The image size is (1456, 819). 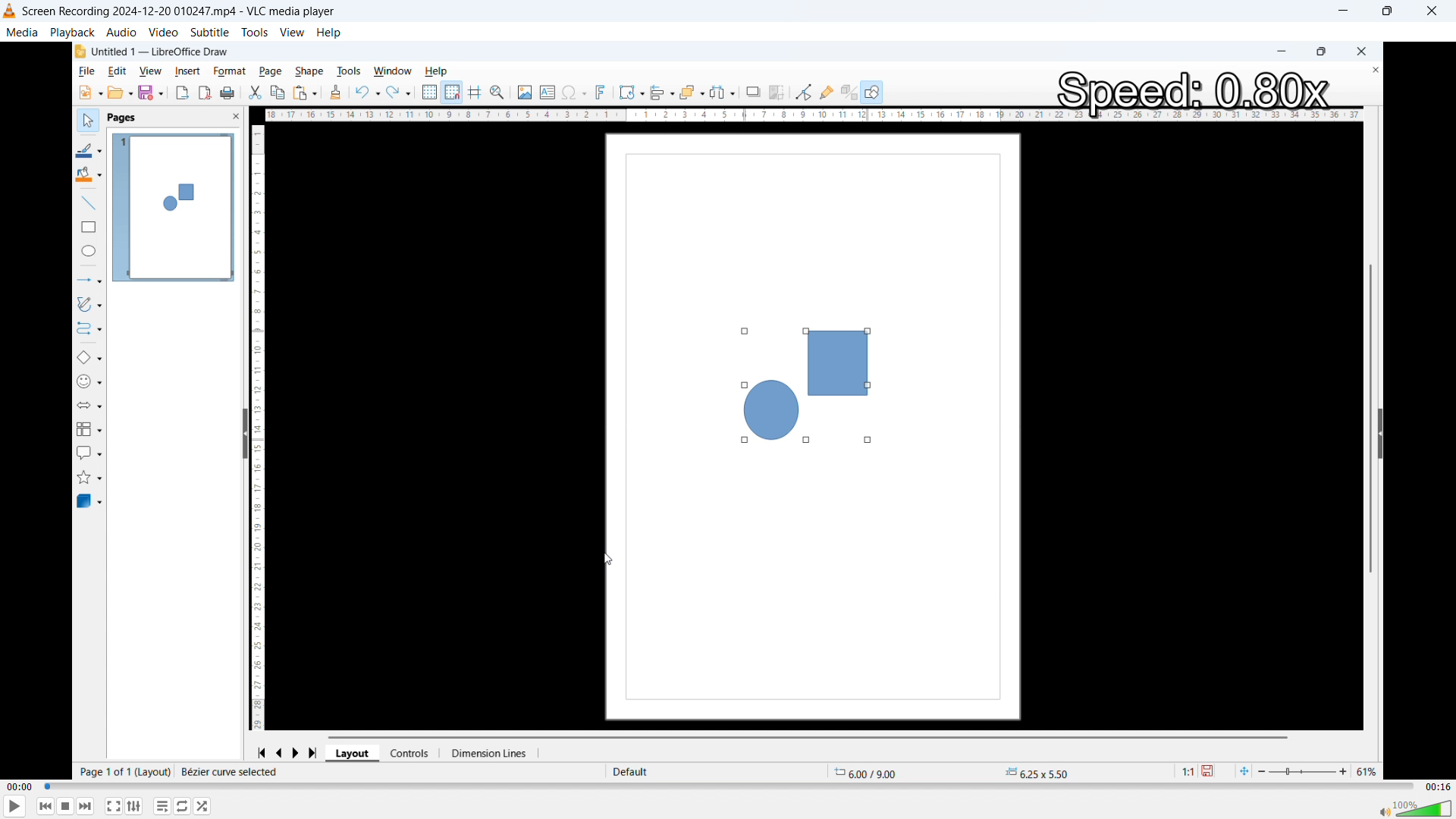 What do you see at coordinates (23, 32) in the screenshot?
I see `Media ` at bounding box center [23, 32].